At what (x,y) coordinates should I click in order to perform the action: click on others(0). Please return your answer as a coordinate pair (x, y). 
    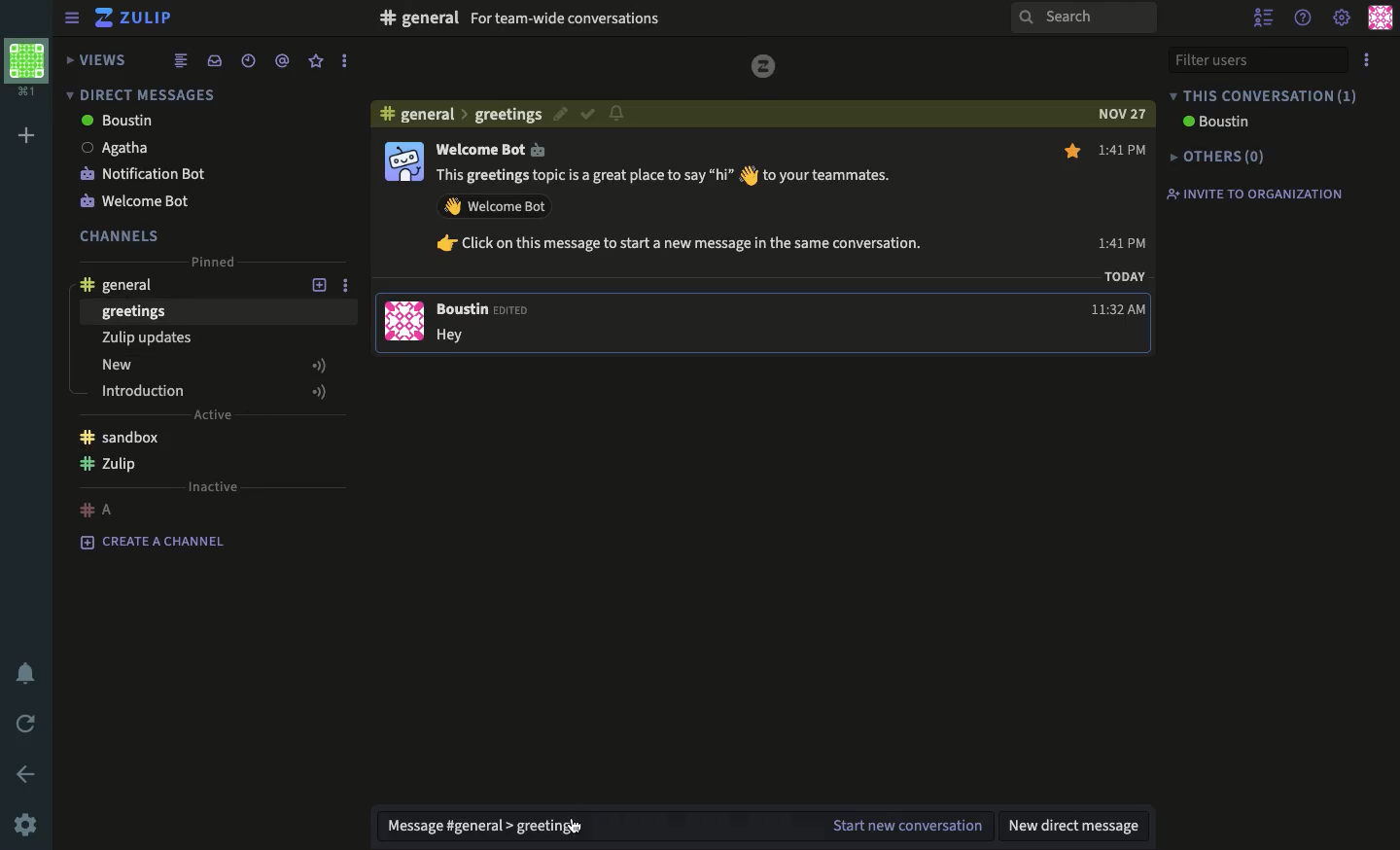
    Looking at the image, I should click on (1213, 158).